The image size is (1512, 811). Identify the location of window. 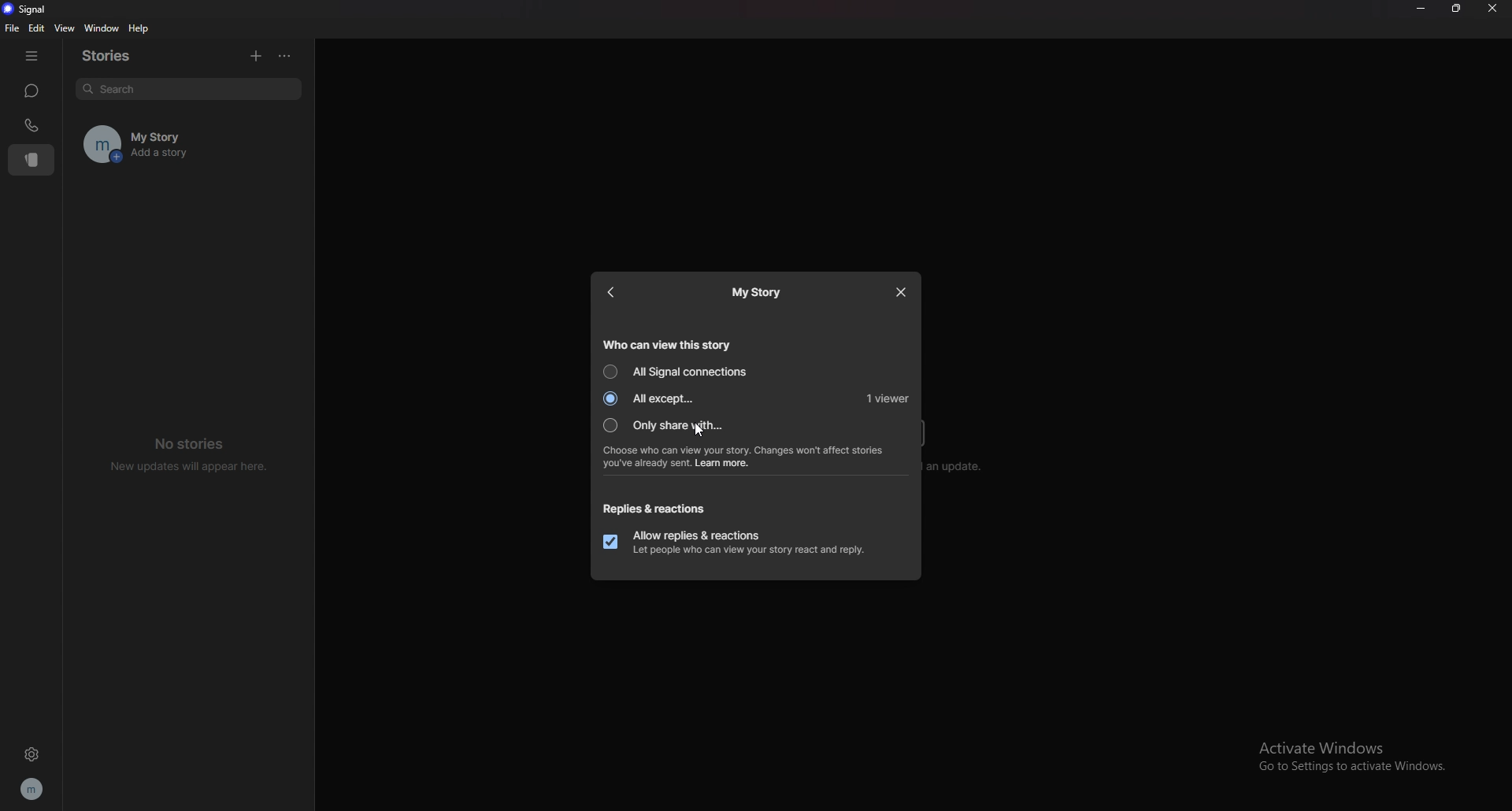
(102, 28).